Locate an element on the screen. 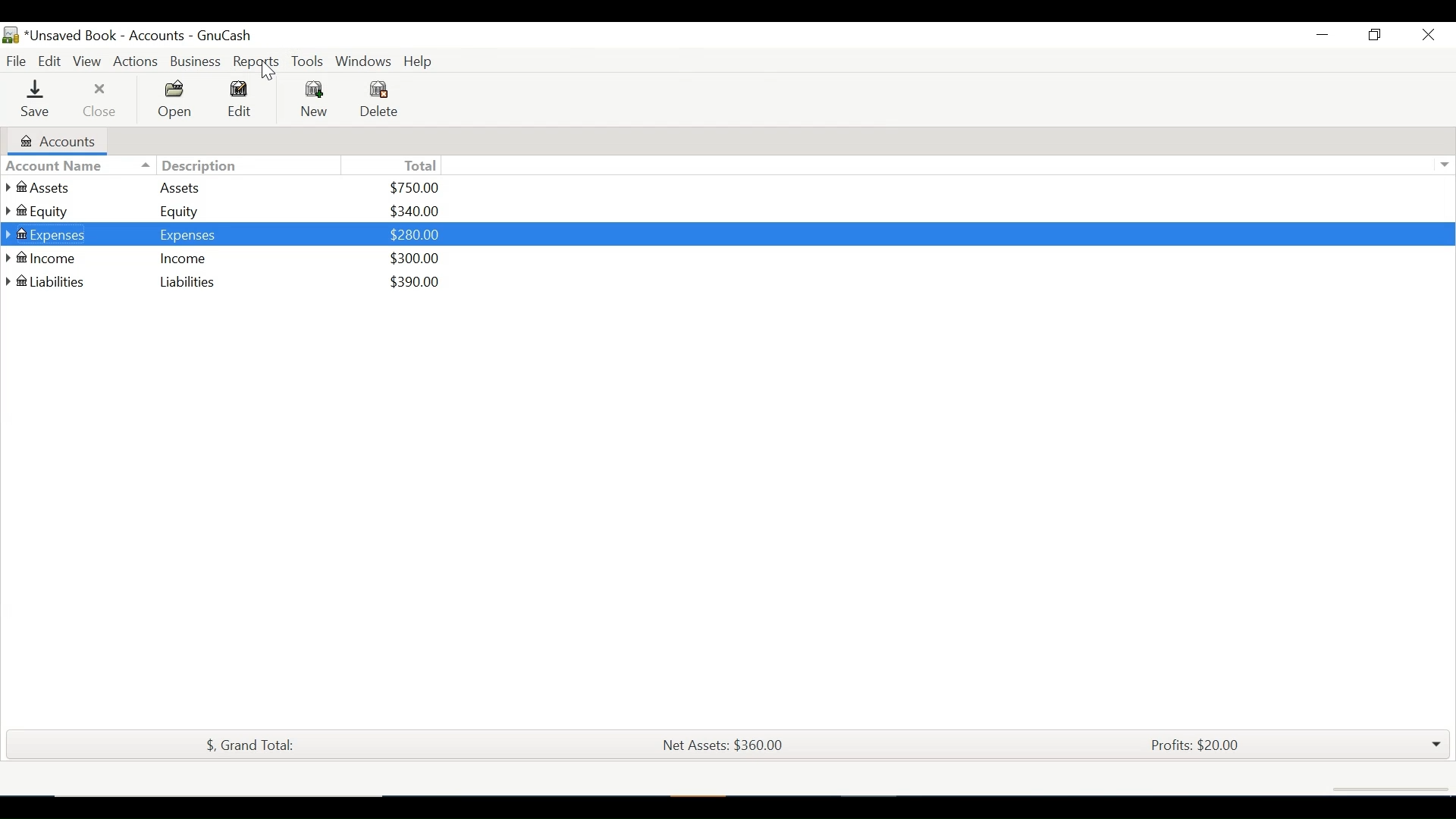 This screenshot has height=819, width=1456. Minimize is located at coordinates (1323, 36).